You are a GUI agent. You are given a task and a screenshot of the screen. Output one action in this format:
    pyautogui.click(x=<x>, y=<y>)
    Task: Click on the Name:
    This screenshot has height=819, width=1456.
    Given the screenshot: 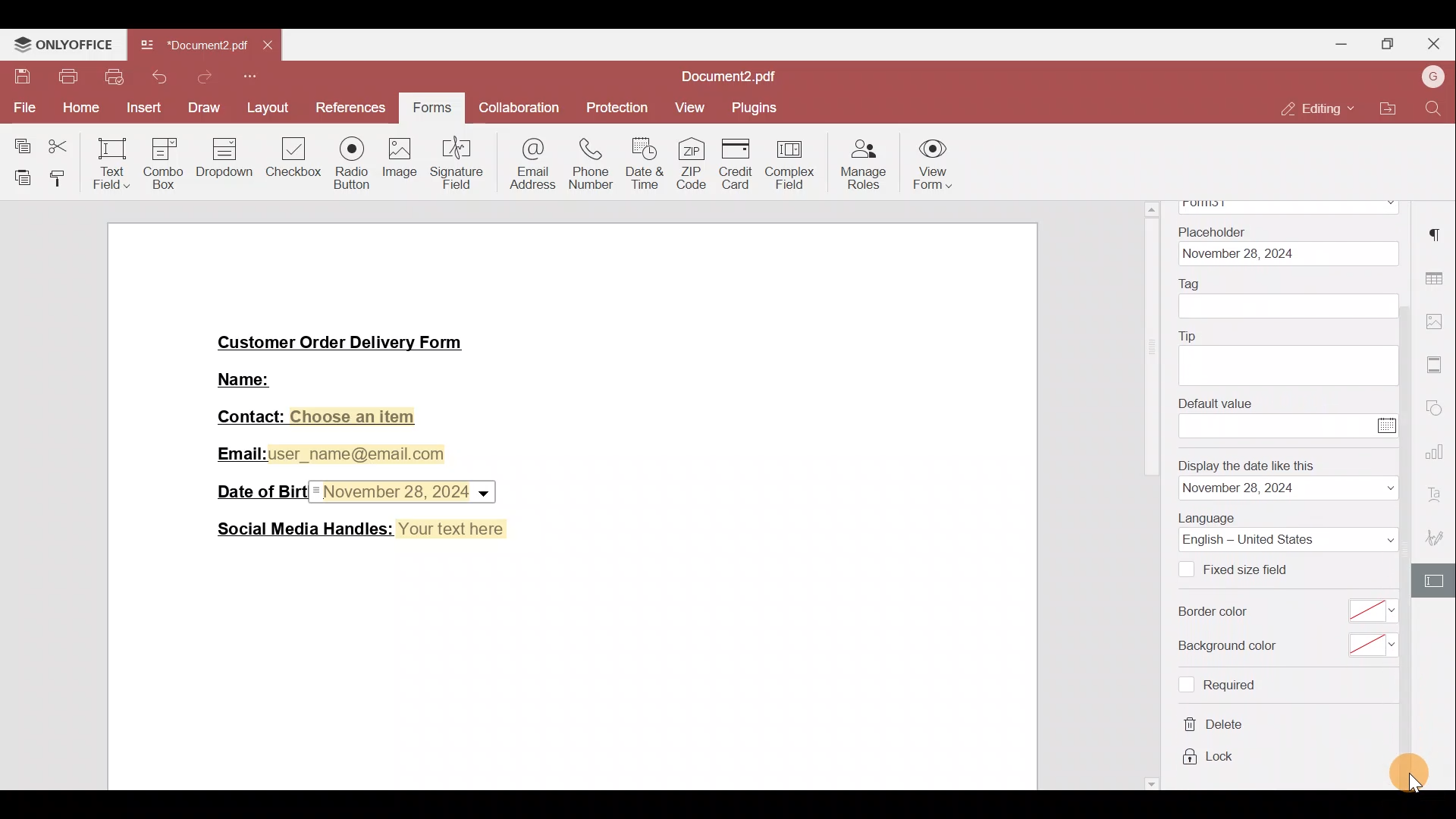 What is the action you would take?
    pyautogui.click(x=247, y=378)
    